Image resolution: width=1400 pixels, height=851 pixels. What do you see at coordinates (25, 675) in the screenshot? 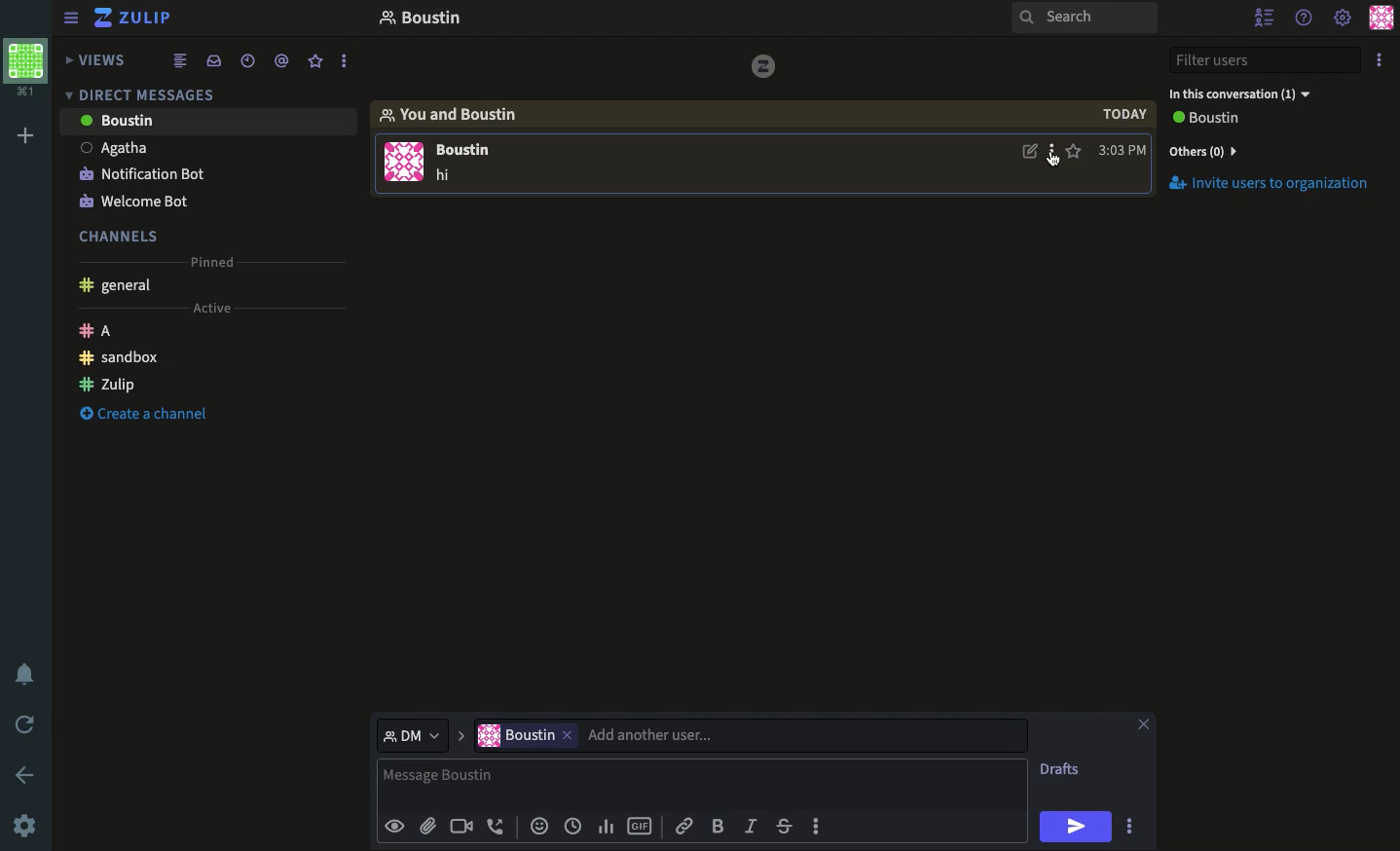
I see `Notification` at bounding box center [25, 675].